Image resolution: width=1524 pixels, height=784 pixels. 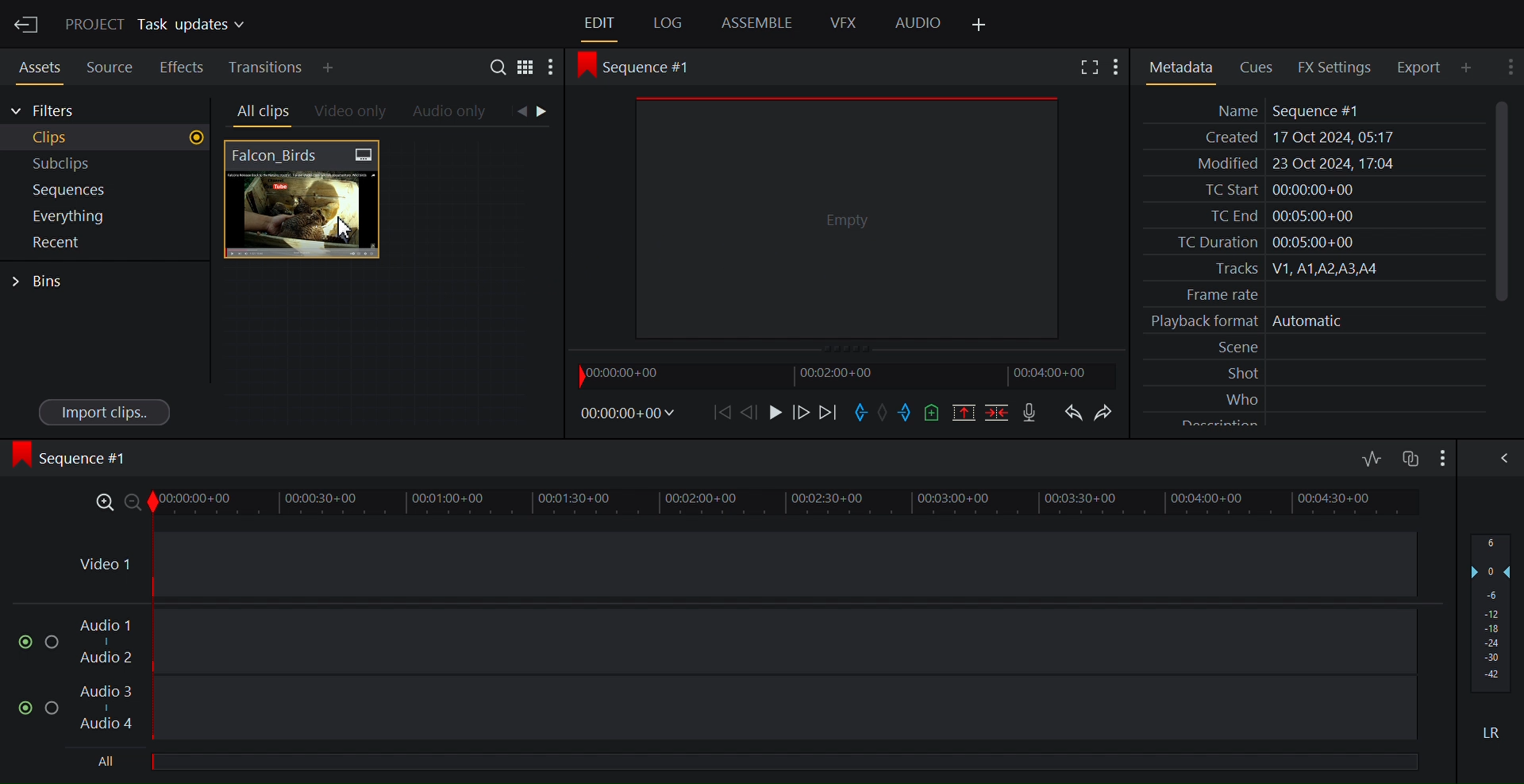 I want to click on Add Panle, so click(x=1471, y=67).